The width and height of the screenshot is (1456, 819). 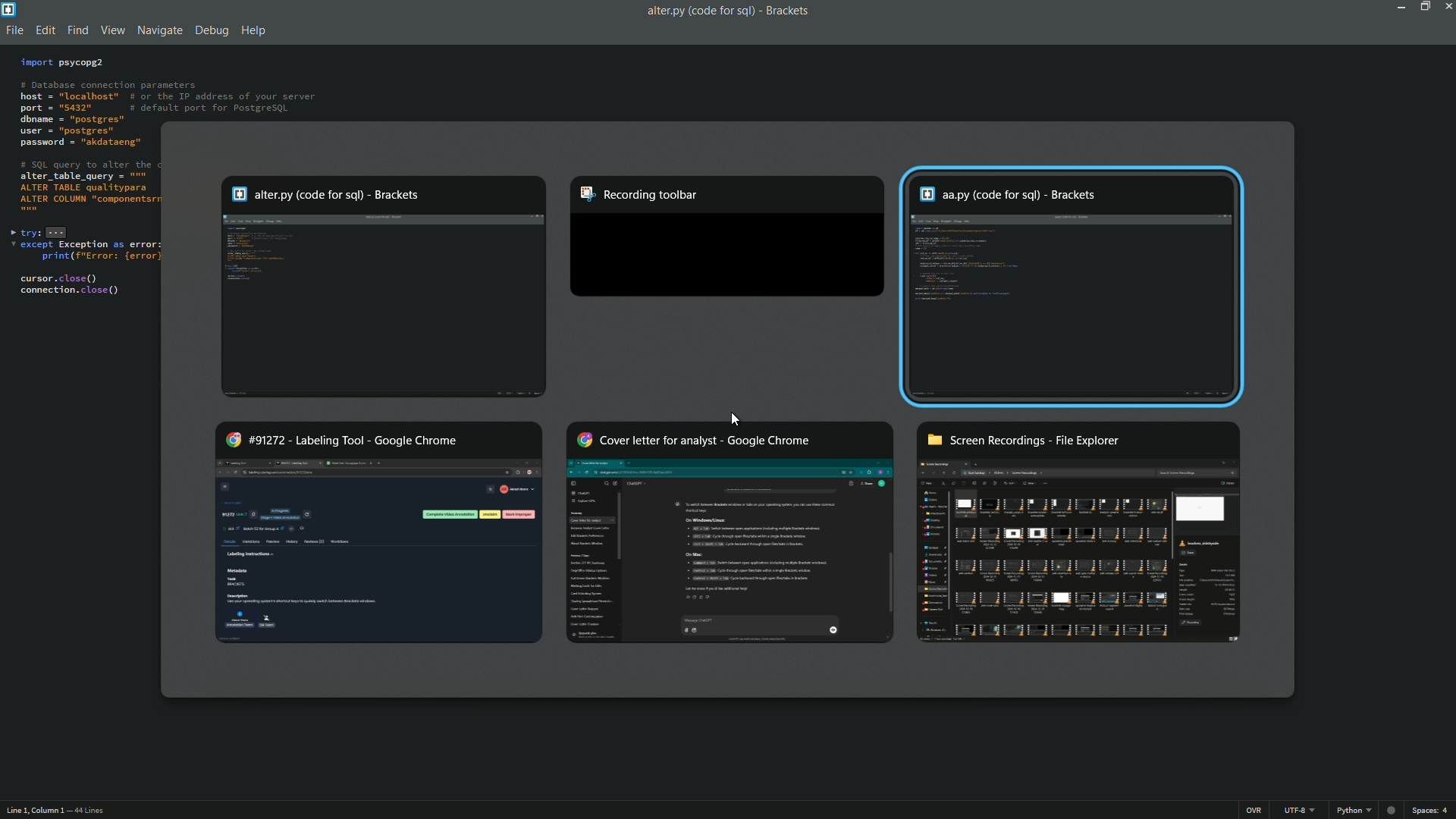 I want to click on app icon, so click(x=9, y=9).